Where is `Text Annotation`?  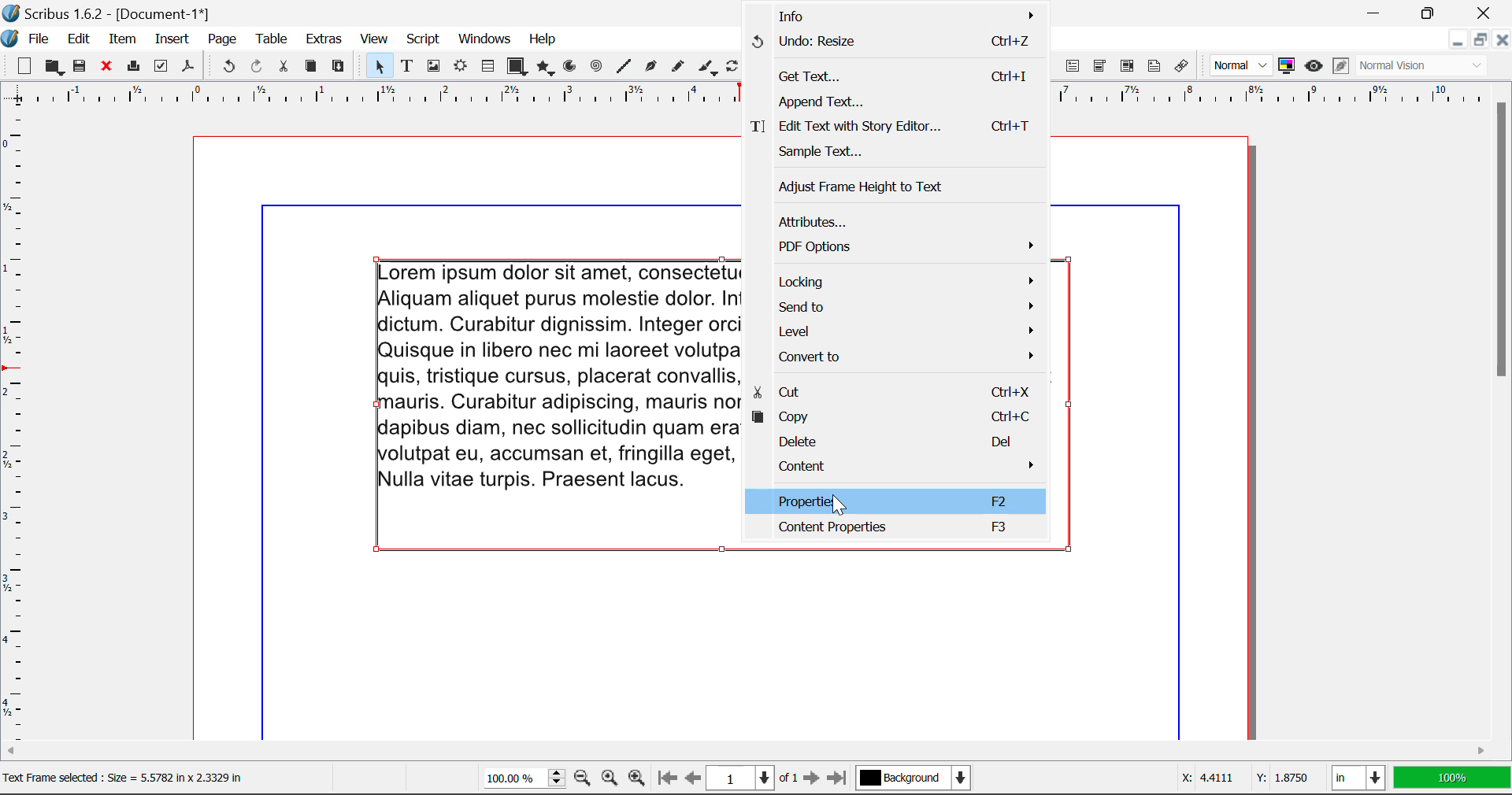
Text Annotation is located at coordinates (1157, 67).